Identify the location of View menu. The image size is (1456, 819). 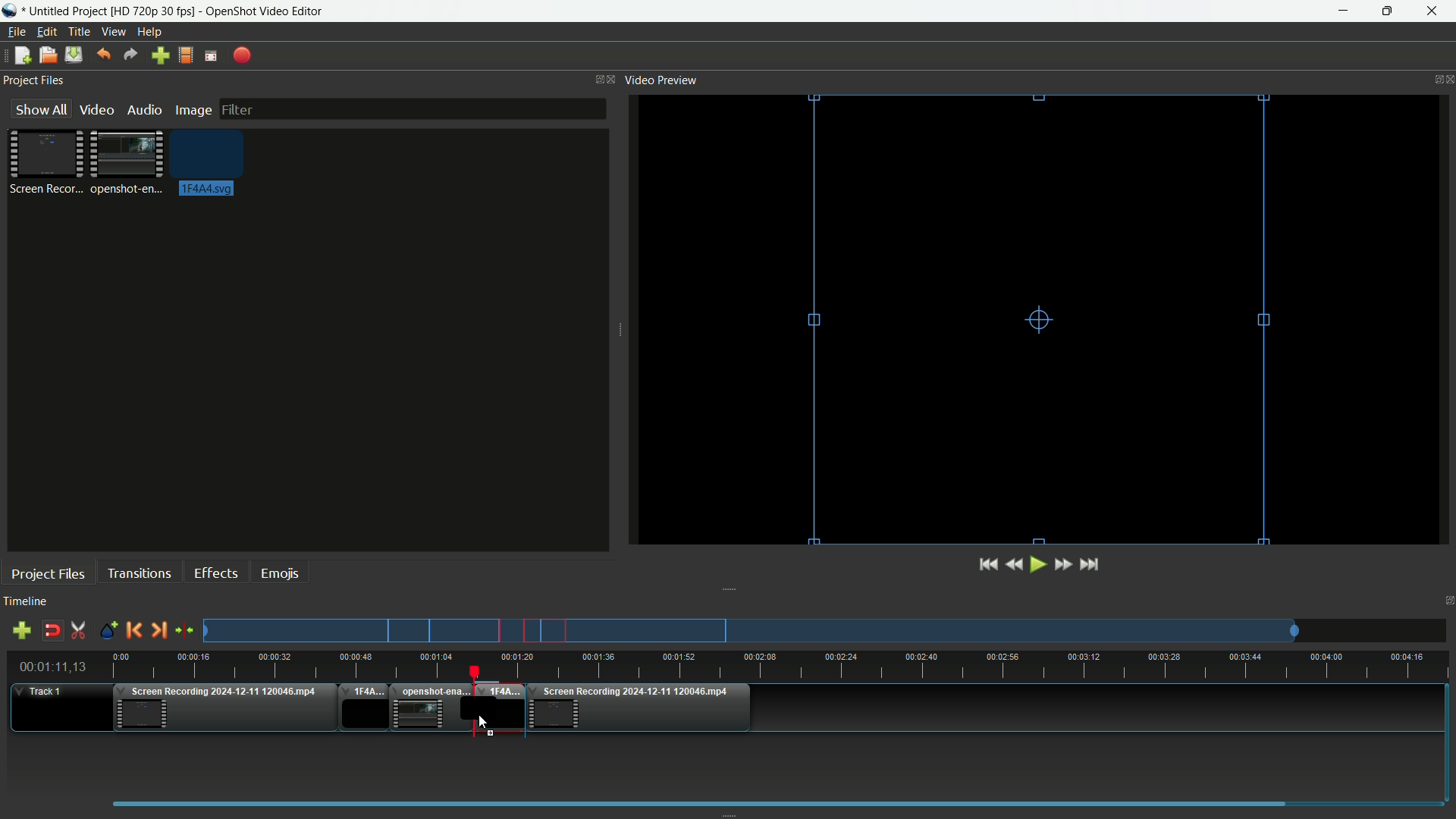
(112, 33).